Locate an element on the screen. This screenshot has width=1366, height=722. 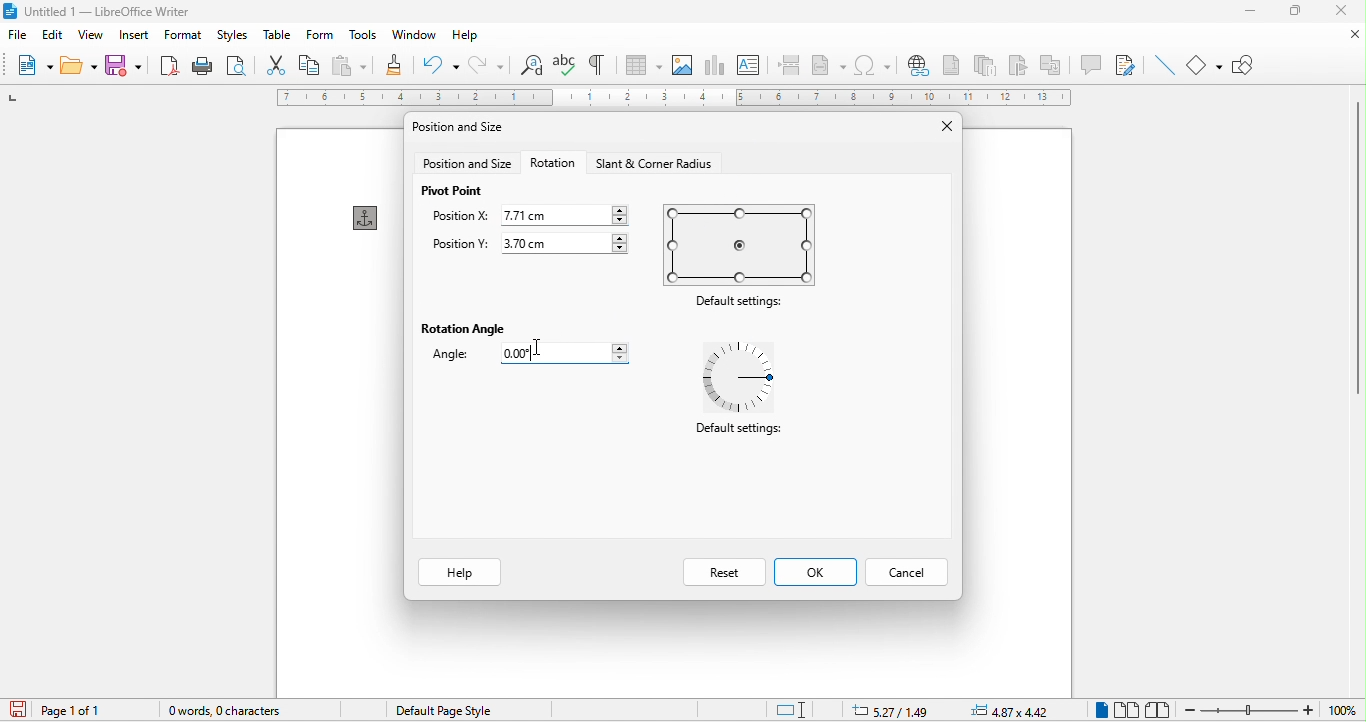
default page style is located at coordinates (438, 712).